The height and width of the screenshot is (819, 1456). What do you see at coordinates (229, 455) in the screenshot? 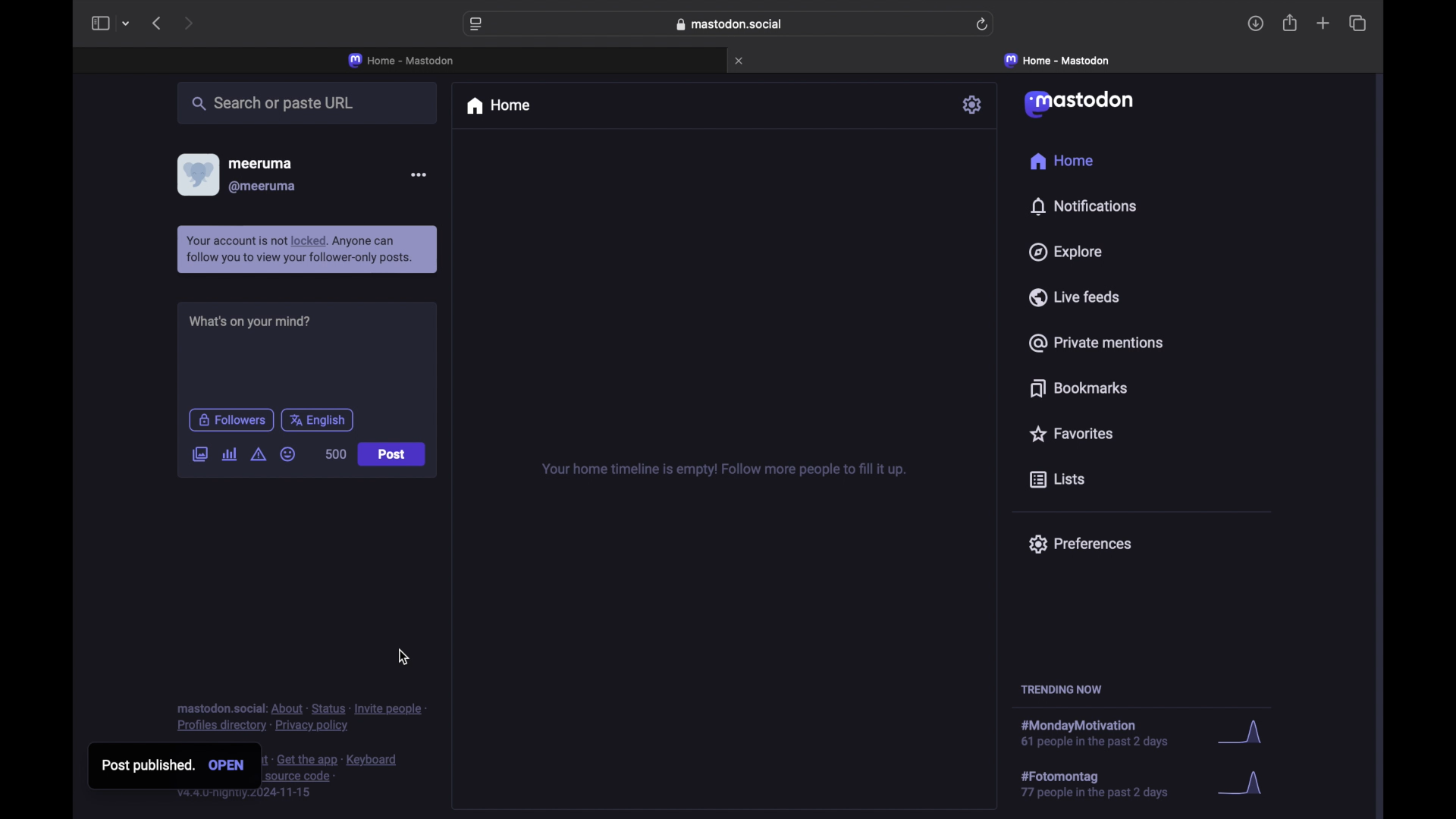
I see `add  poll` at bounding box center [229, 455].